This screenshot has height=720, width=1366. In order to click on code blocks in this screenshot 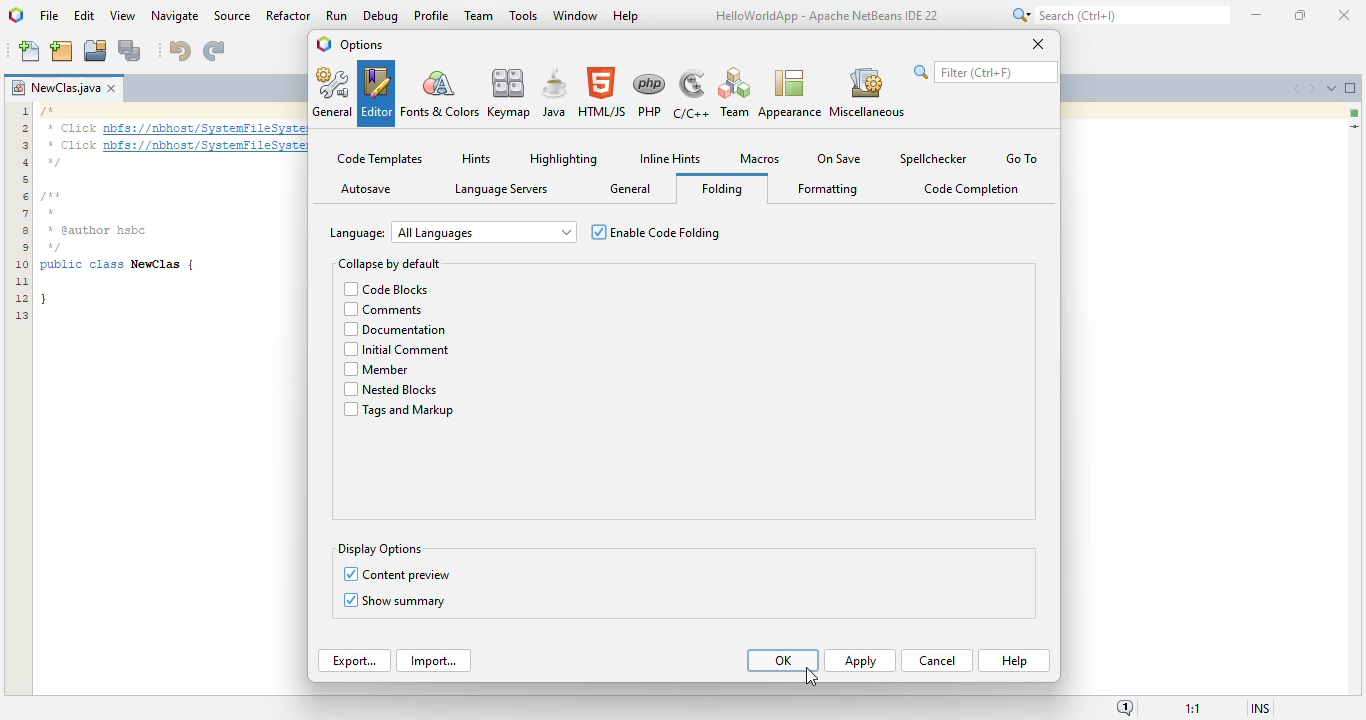, I will do `click(386, 289)`.